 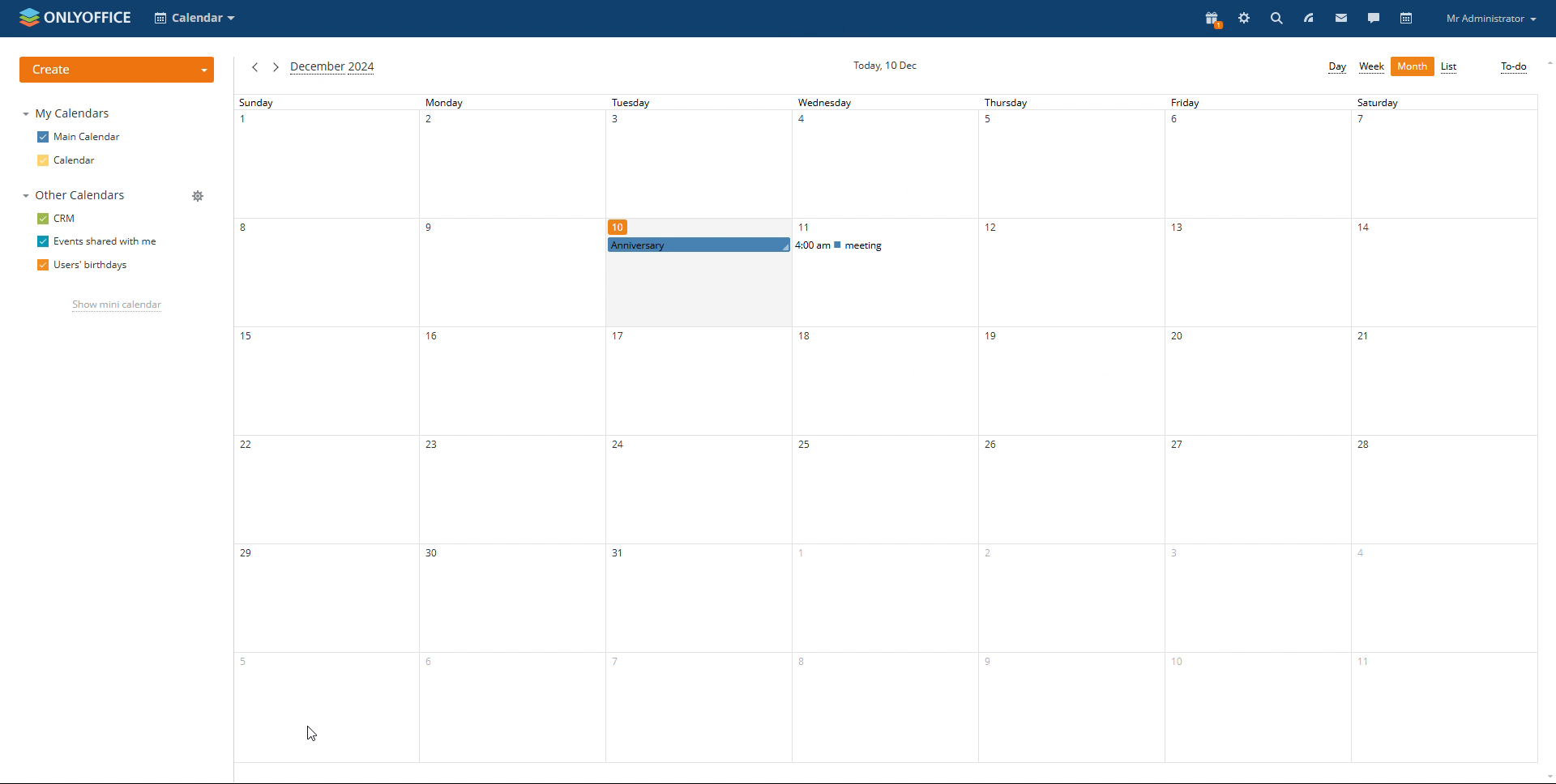 I want to click on create, so click(x=116, y=70).